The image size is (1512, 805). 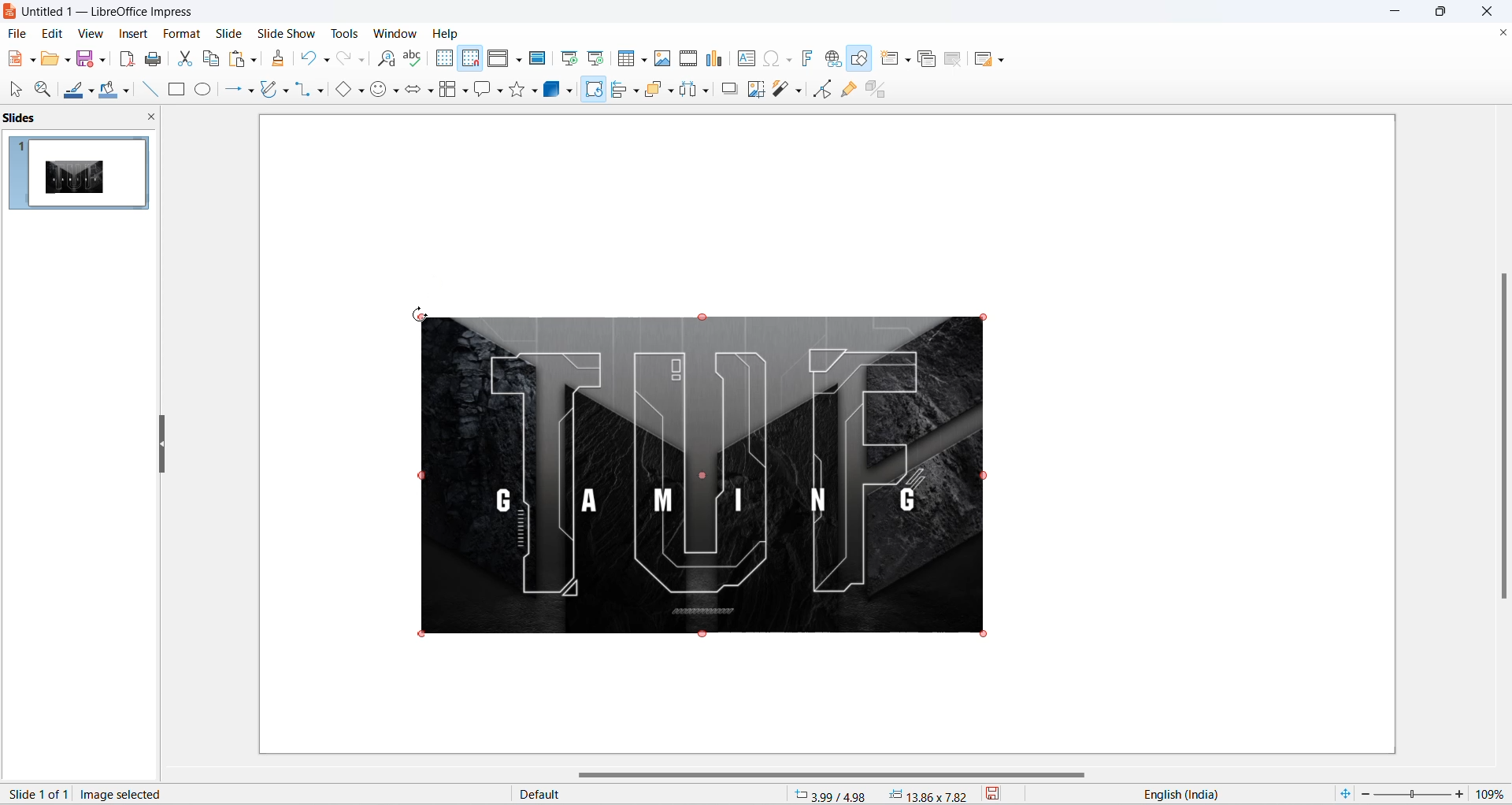 I want to click on crop image, so click(x=754, y=90).